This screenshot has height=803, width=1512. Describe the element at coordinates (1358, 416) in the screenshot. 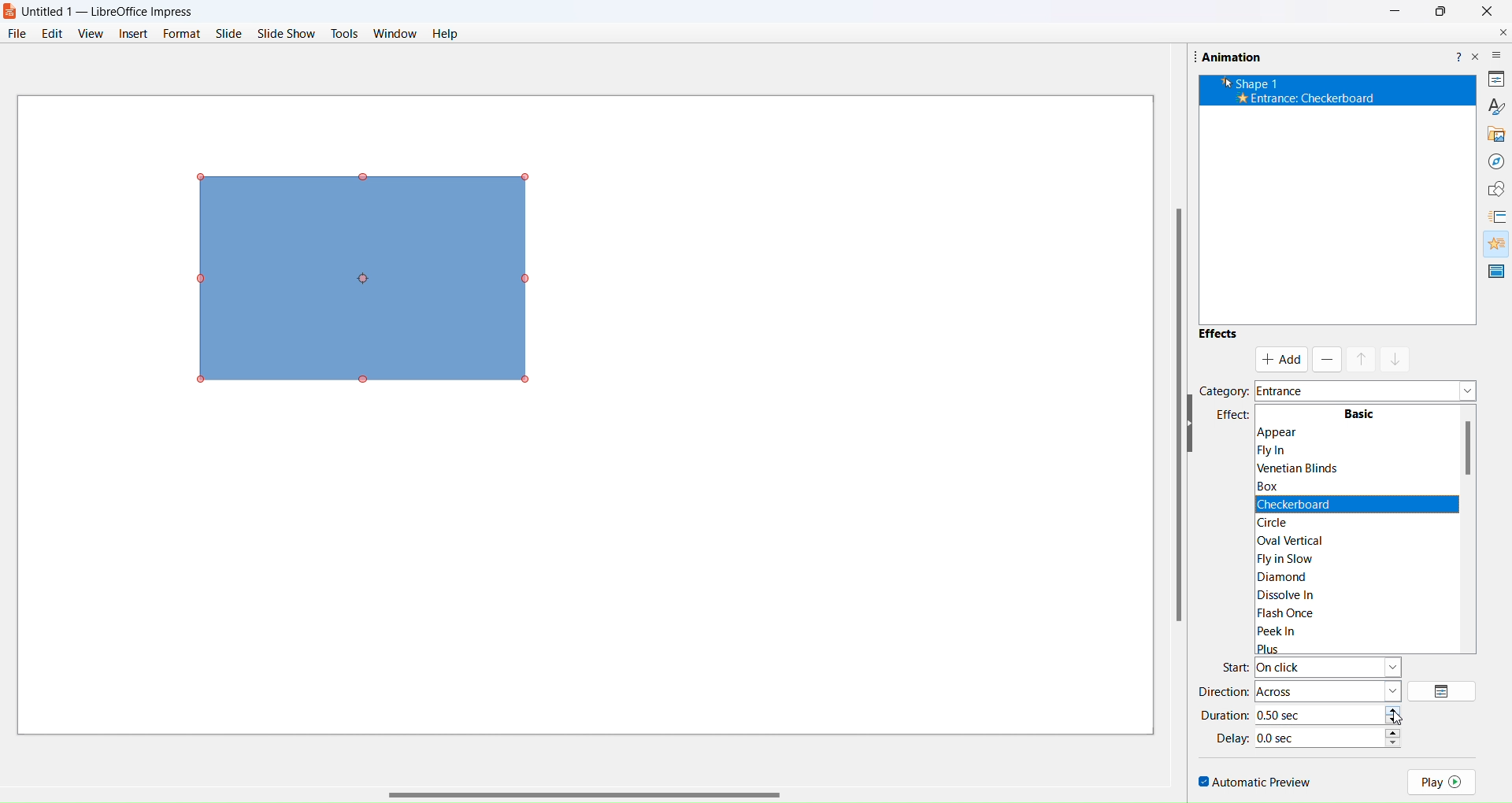

I see `Basic` at that location.